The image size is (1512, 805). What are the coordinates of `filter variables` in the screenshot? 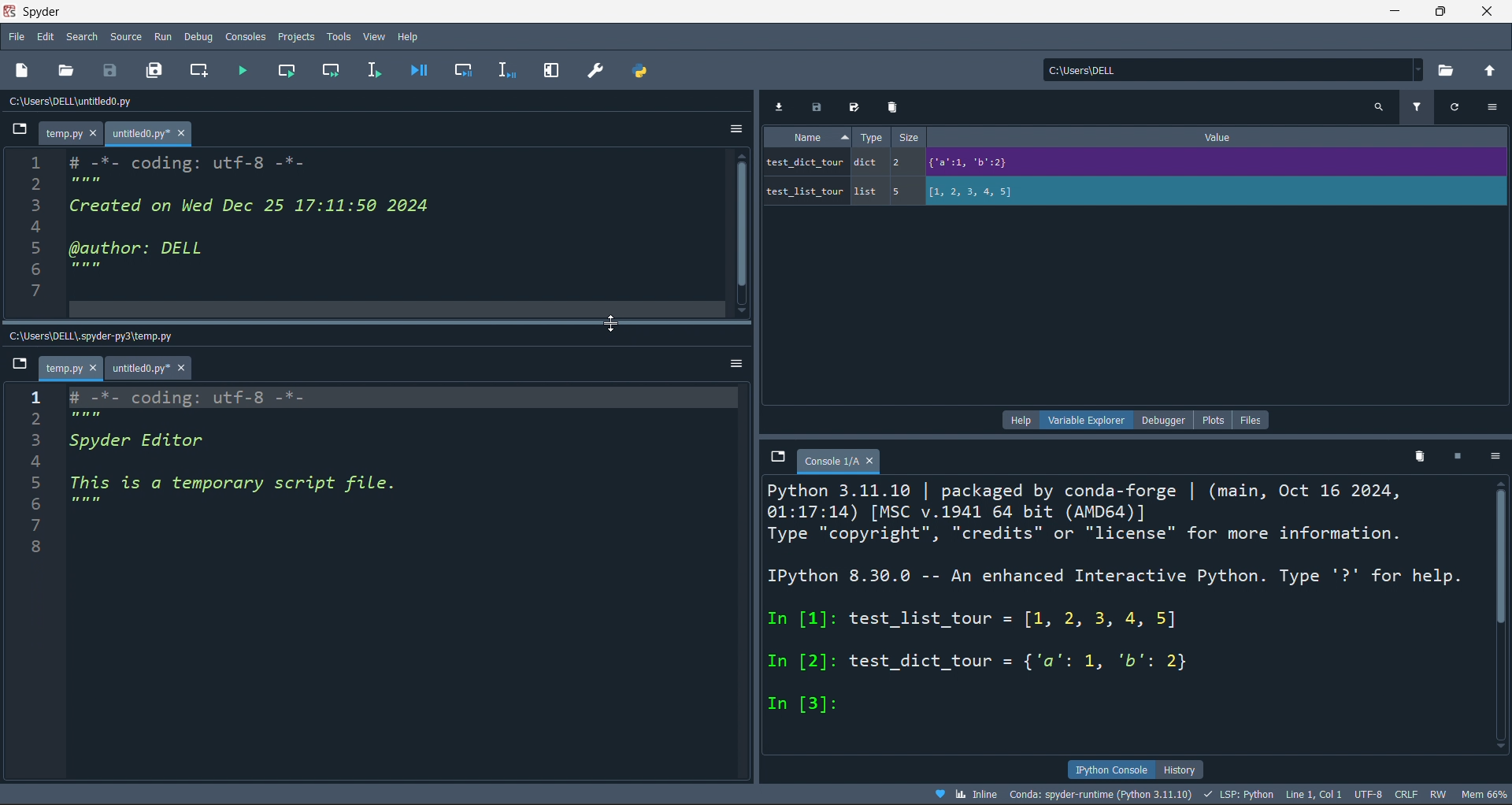 It's located at (1421, 106).